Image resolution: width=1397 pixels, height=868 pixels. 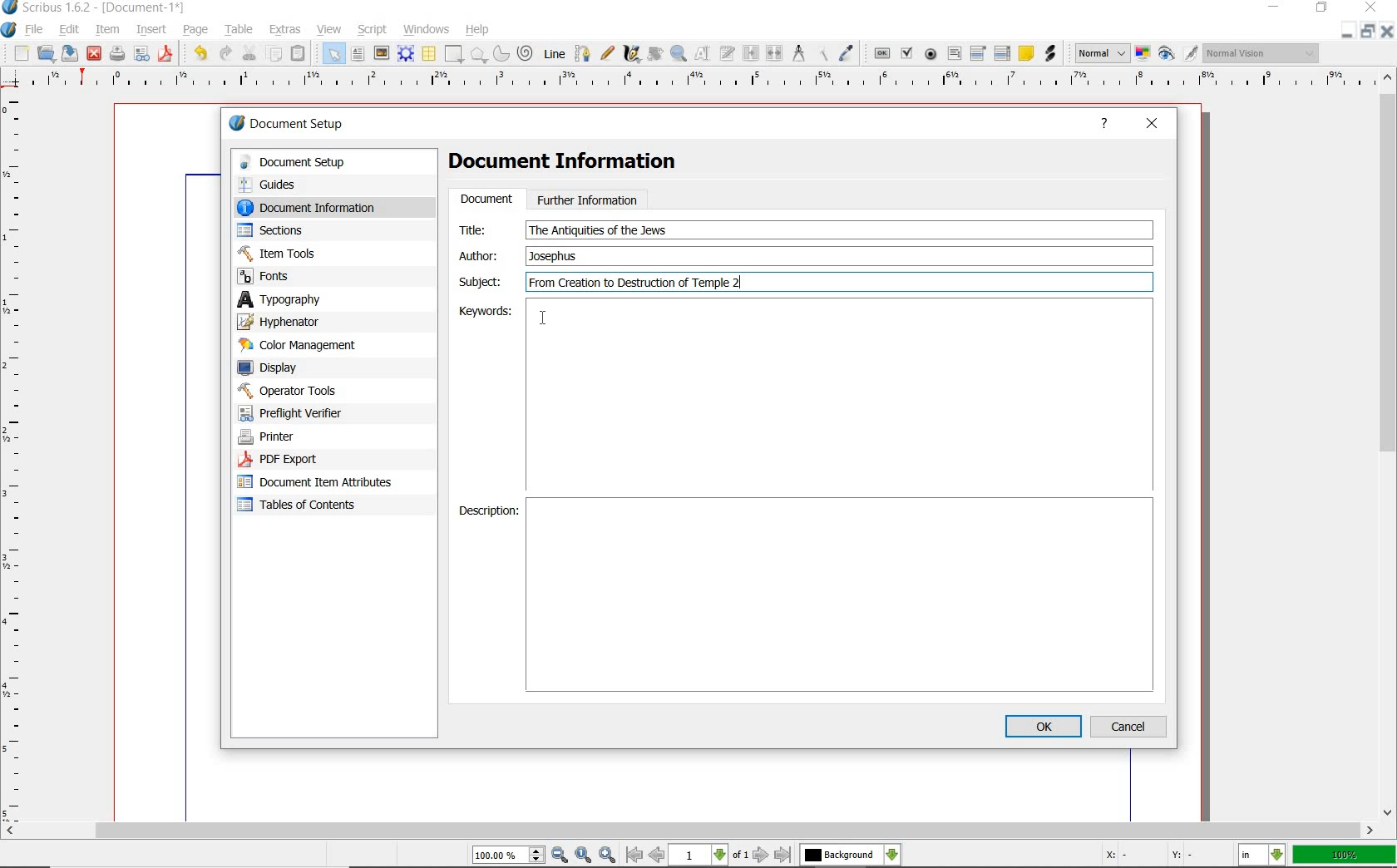 What do you see at coordinates (847, 52) in the screenshot?
I see `eye dropper` at bounding box center [847, 52].